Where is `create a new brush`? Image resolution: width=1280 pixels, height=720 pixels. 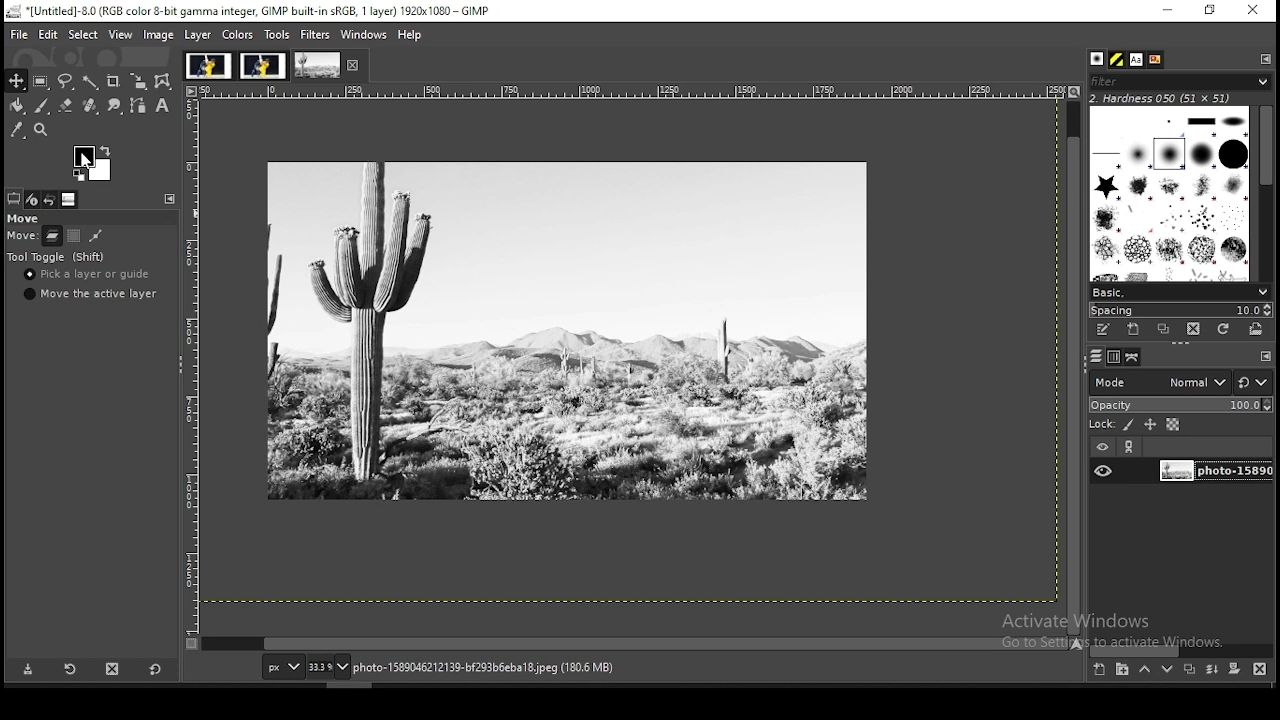 create a new brush is located at coordinates (1136, 330).